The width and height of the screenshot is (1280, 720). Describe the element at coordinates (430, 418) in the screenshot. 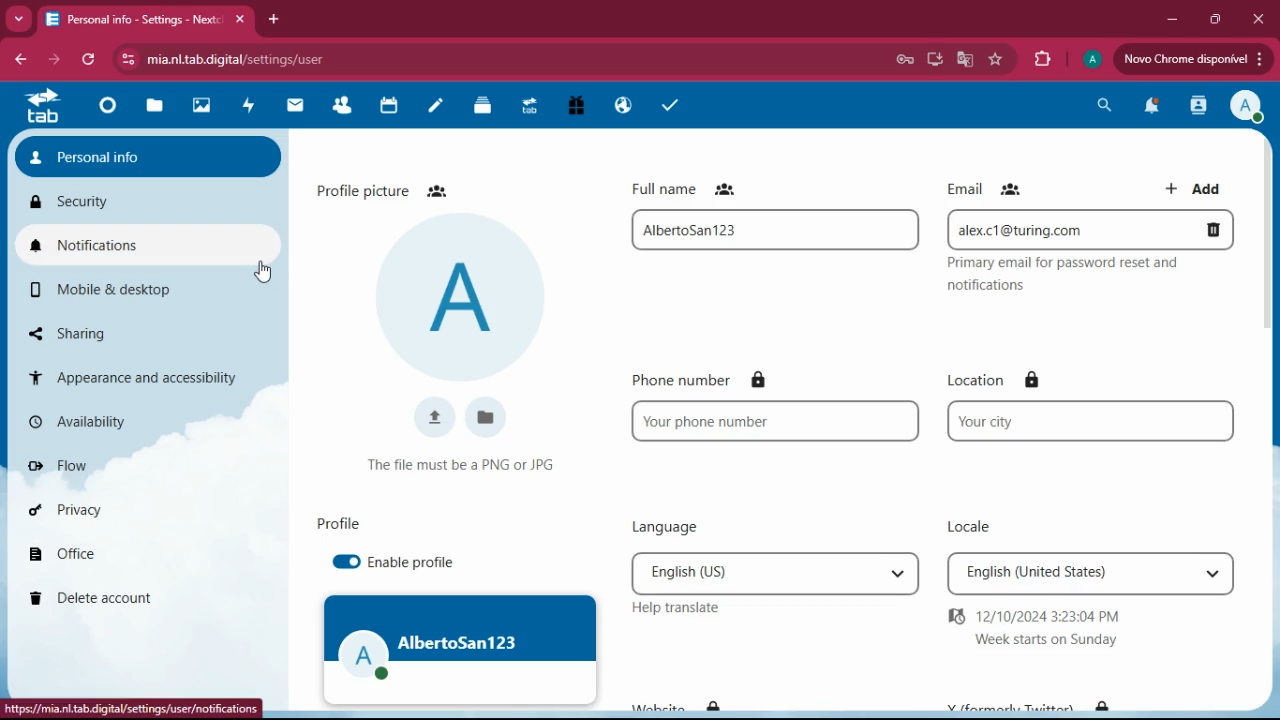

I see `upload` at that location.